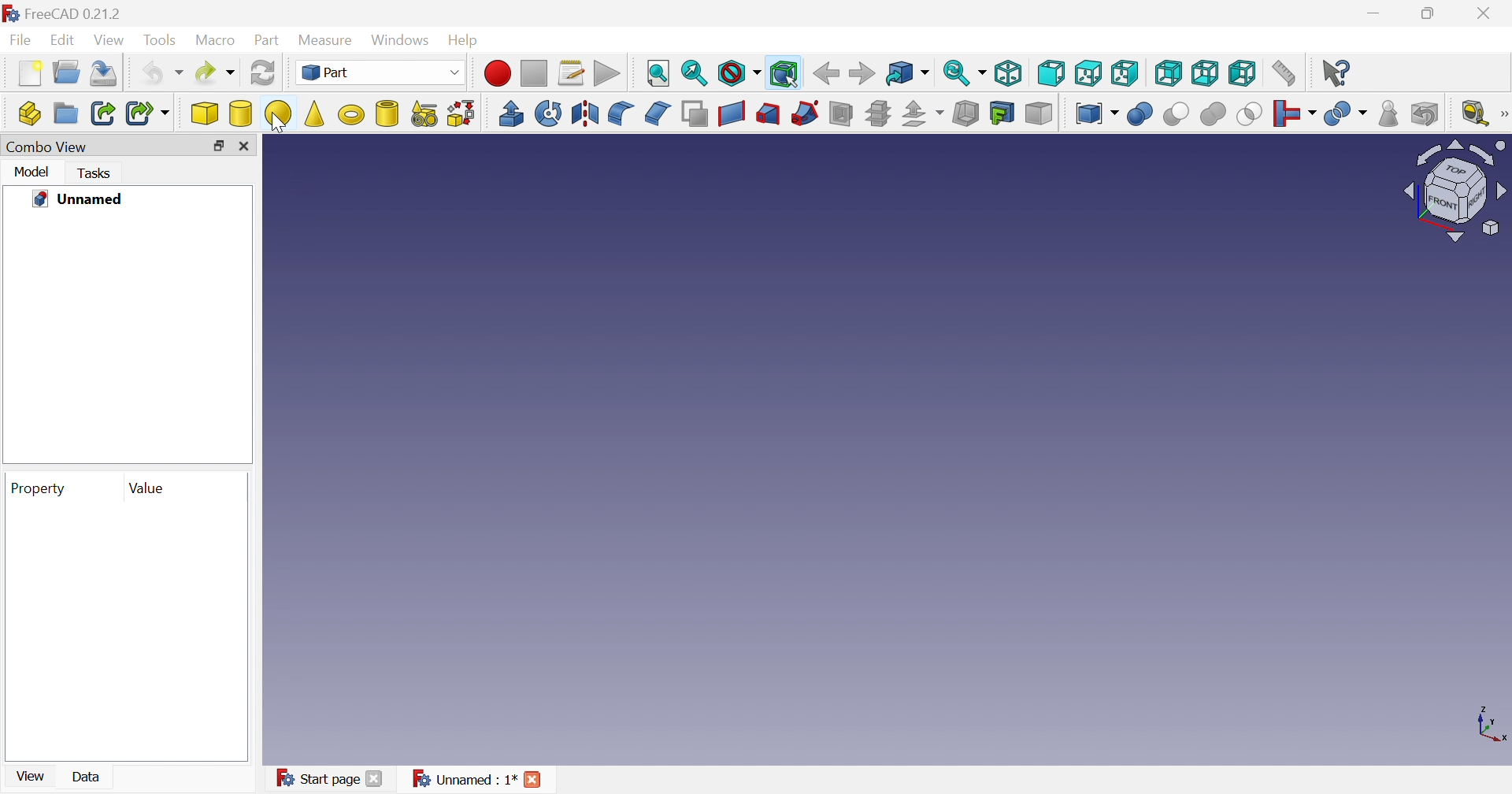 This screenshot has height=794, width=1512. I want to click on Isometric, so click(1009, 74).